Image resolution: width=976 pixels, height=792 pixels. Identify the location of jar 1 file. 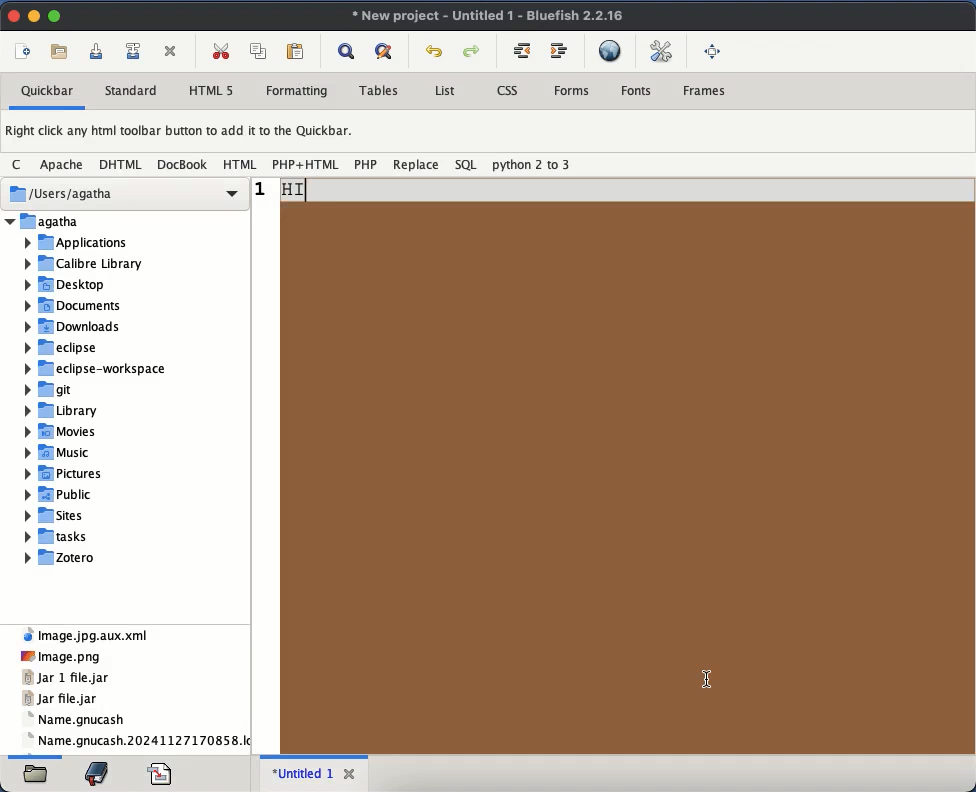
(68, 677).